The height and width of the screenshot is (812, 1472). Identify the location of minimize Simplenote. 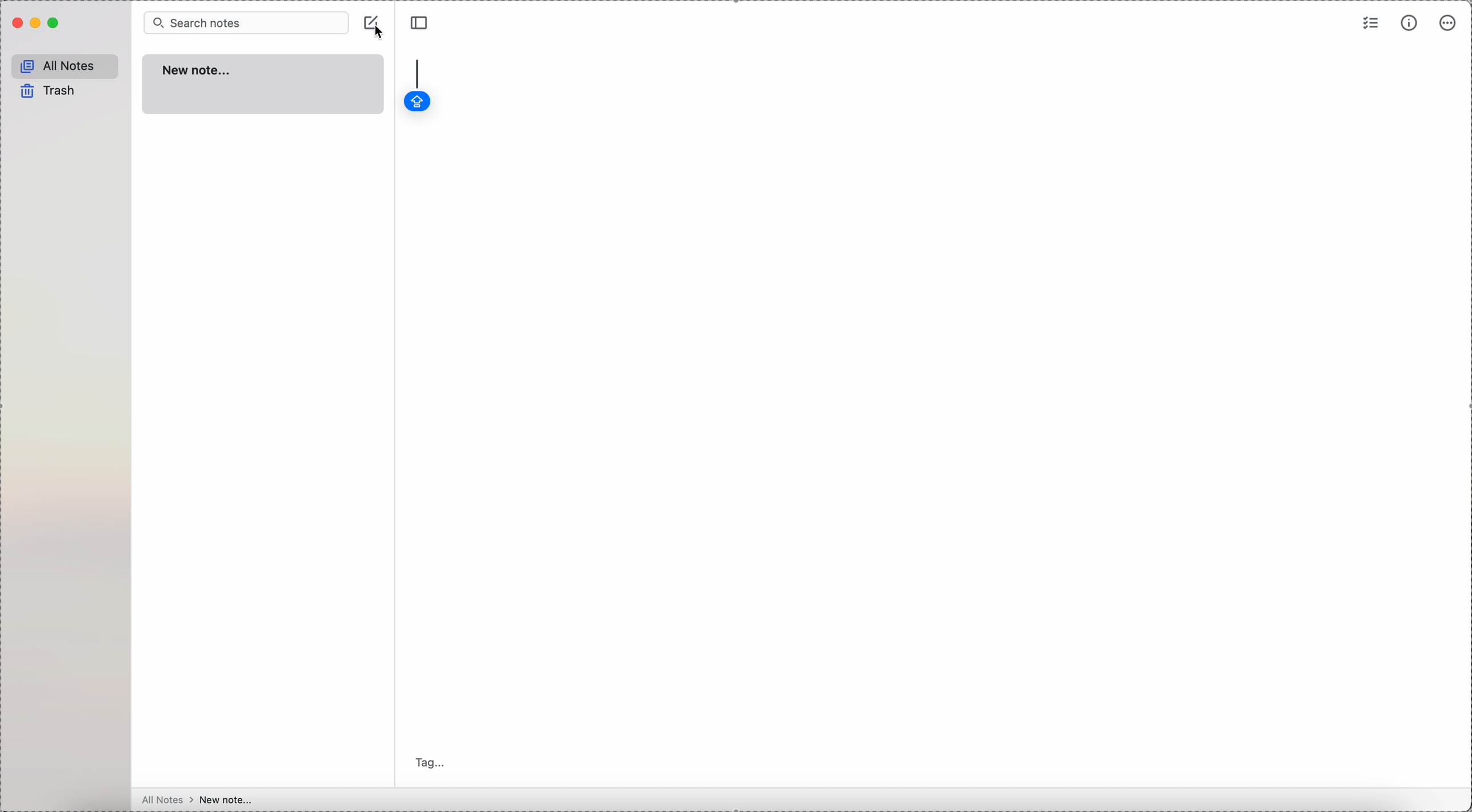
(36, 25).